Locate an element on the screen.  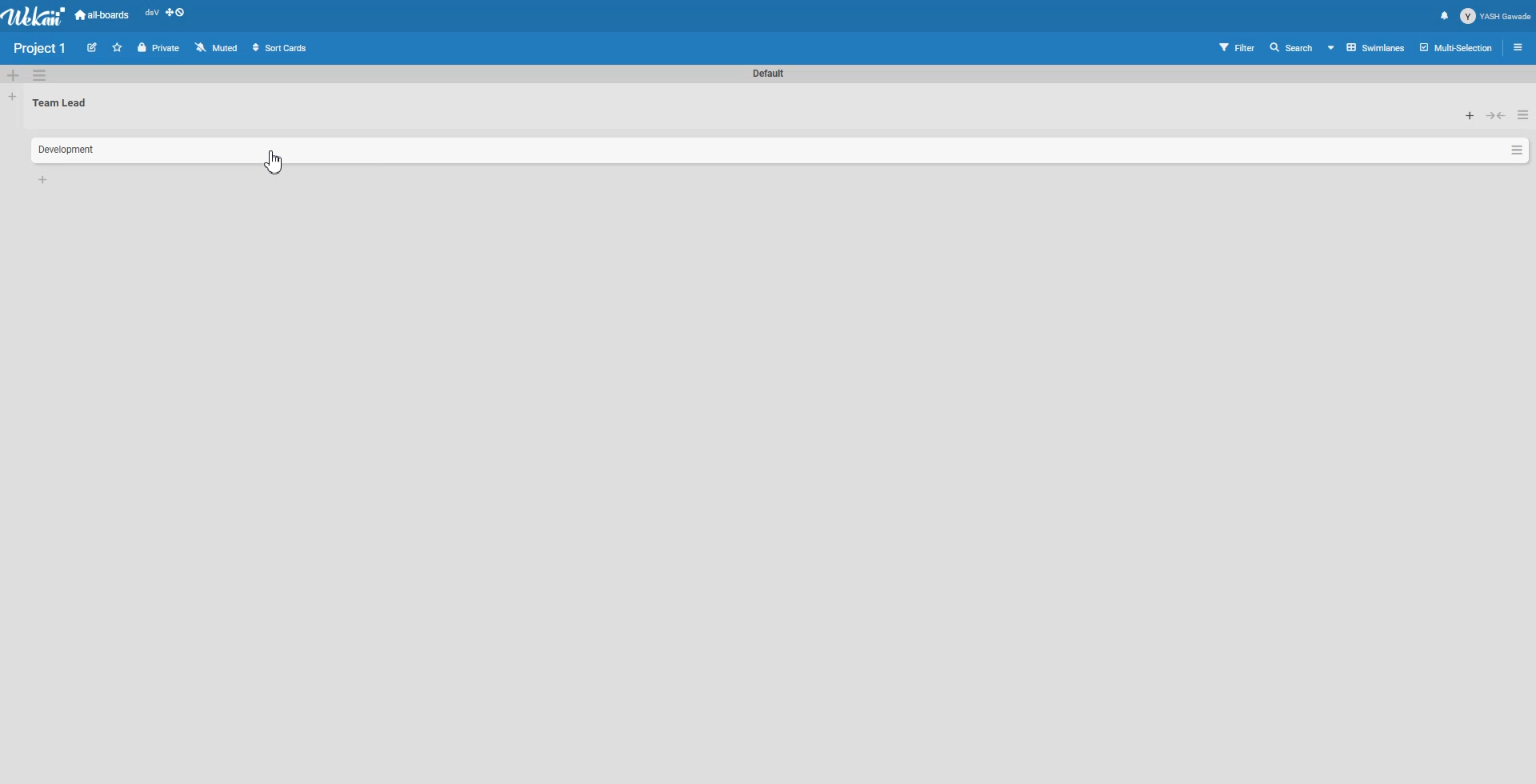
Card Action is located at coordinates (1518, 150).